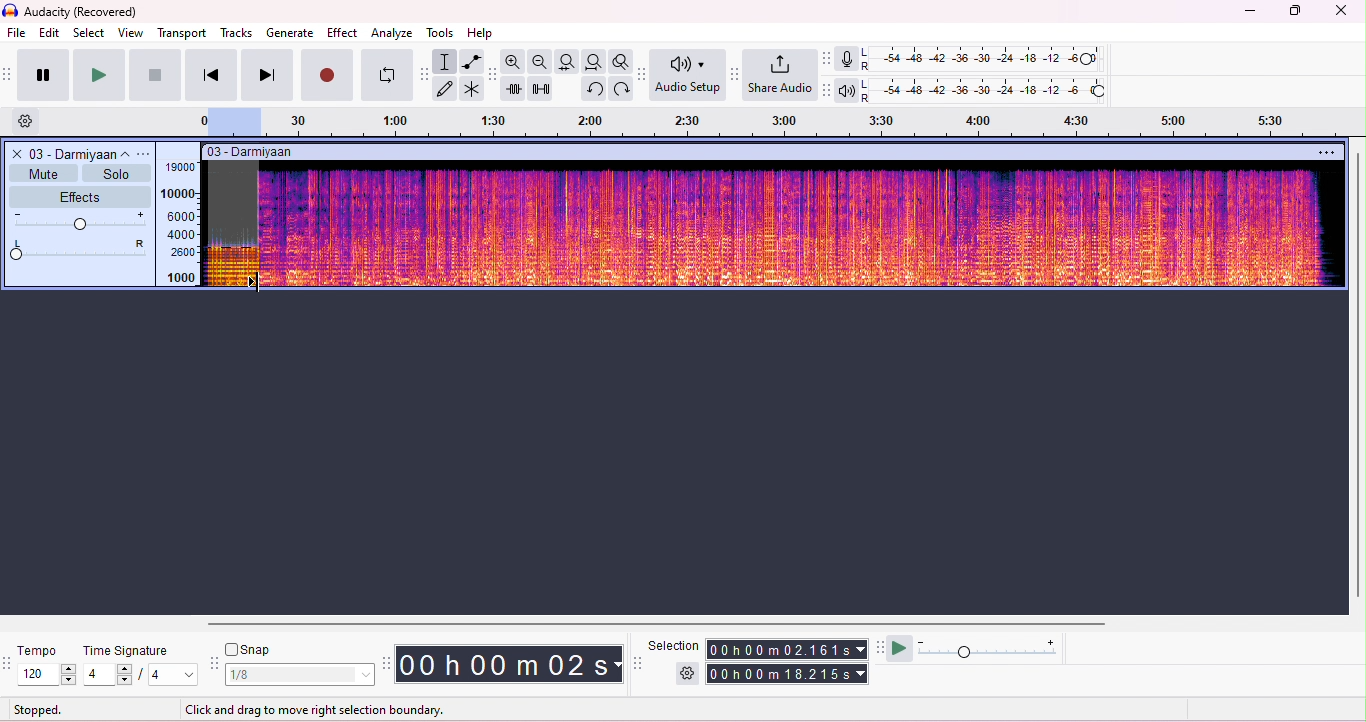 The image size is (1366, 722). Describe the element at coordinates (182, 34) in the screenshot. I see `transport` at that location.